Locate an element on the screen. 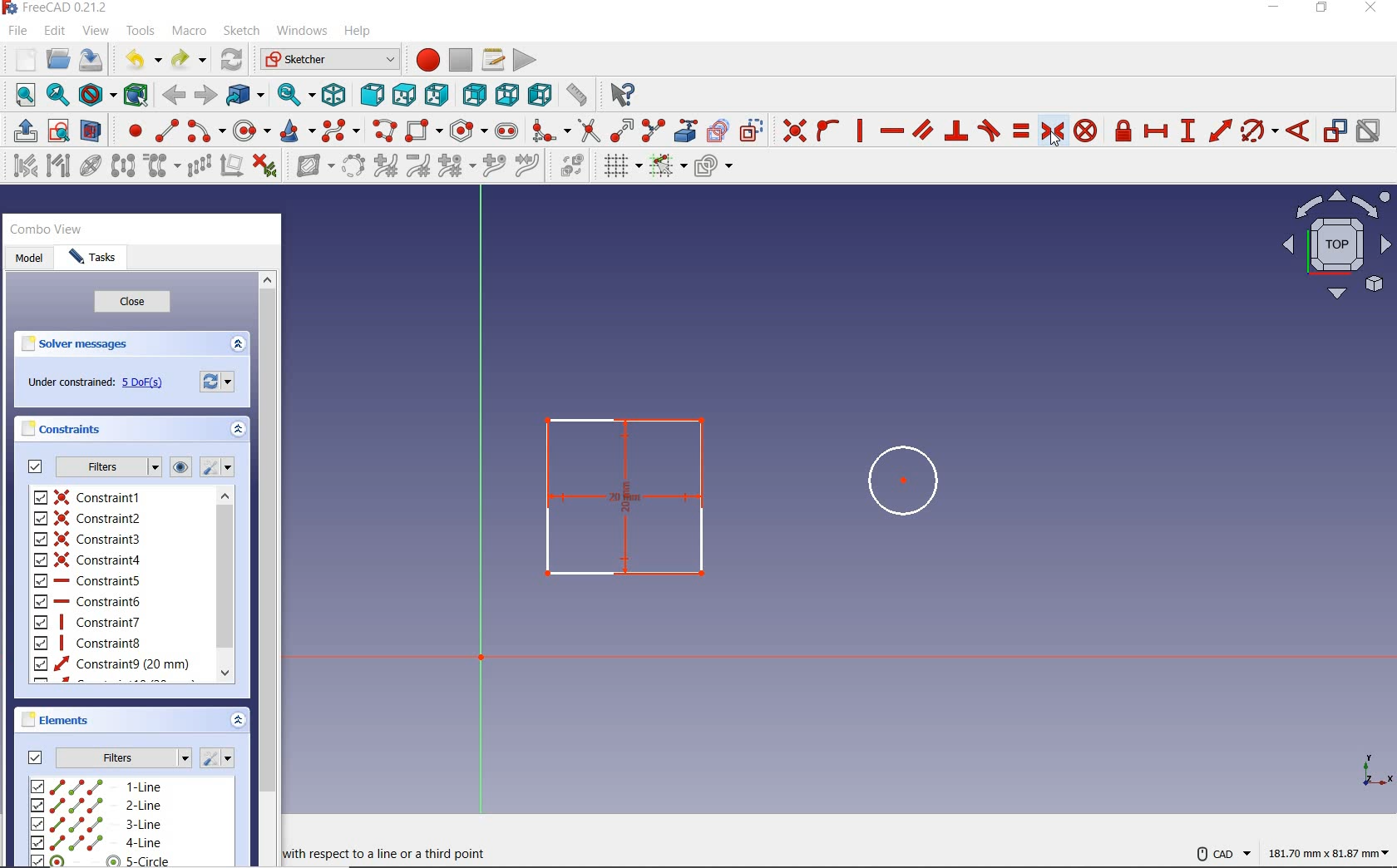  help is located at coordinates (358, 32).